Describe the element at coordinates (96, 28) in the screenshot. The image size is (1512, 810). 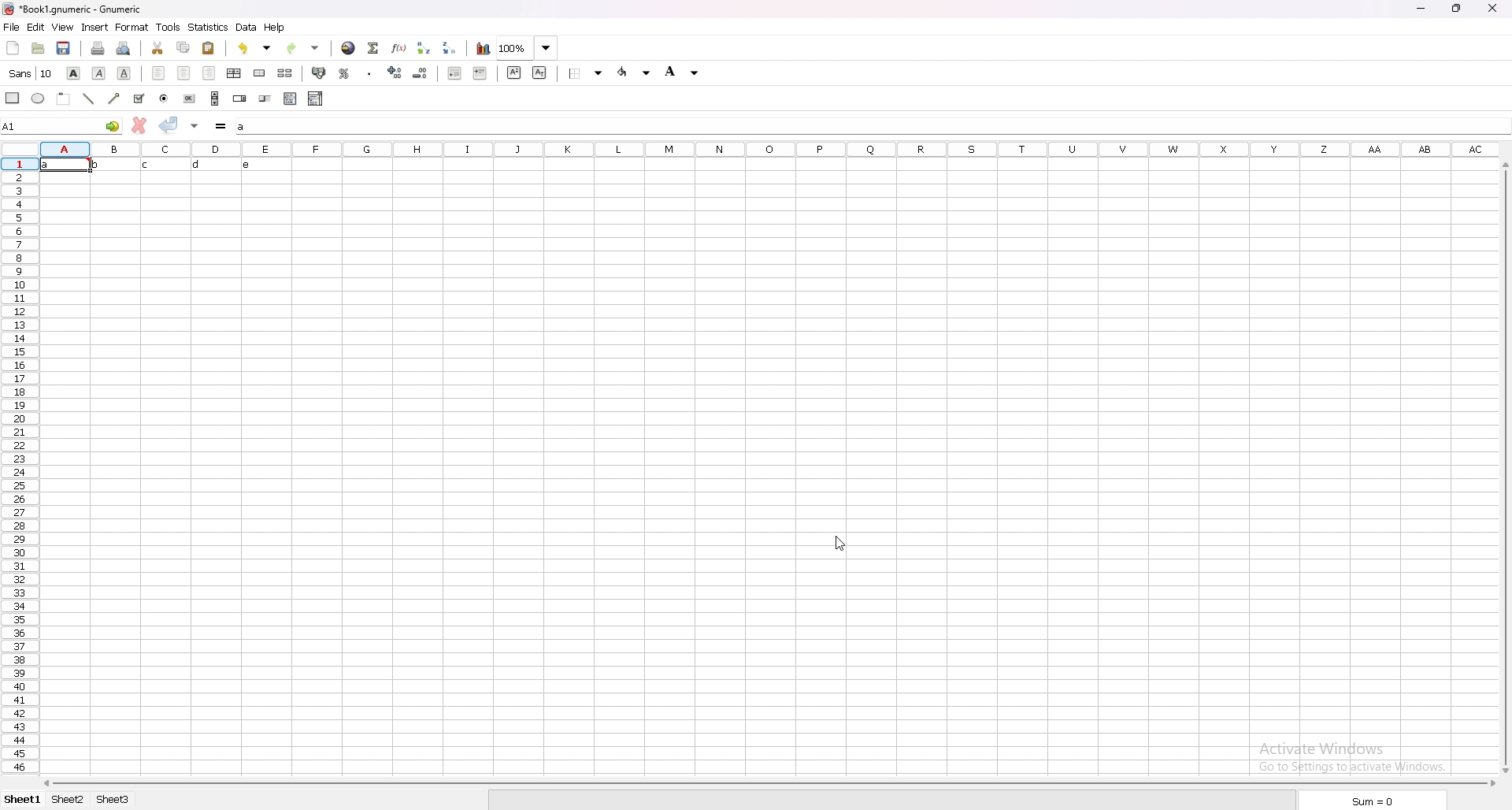
I see `insert` at that location.